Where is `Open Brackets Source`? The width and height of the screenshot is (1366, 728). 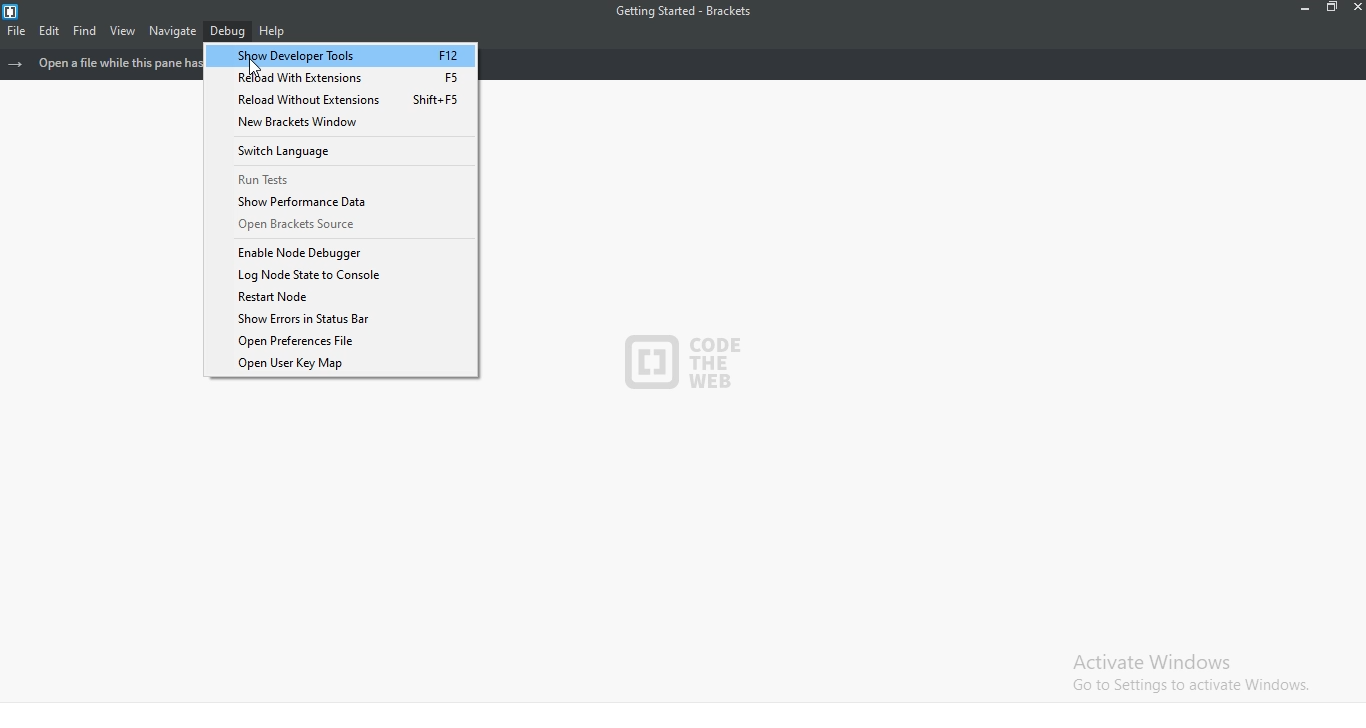
Open Brackets Source is located at coordinates (340, 225).